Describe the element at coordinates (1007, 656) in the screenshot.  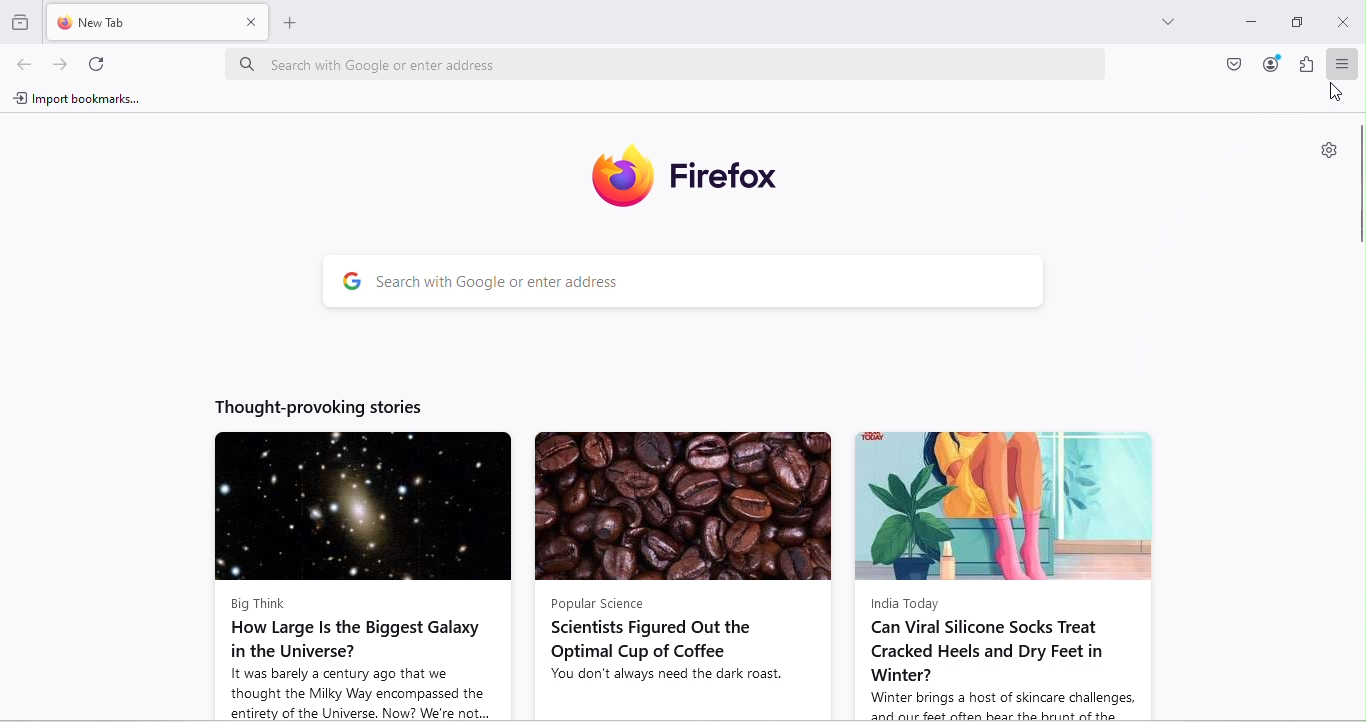
I see `India Today

Can Viral Silicone Socks Treat
Cracked Heels and Dry Feet in
Winter?

Winter brings a host of skincare challenges,` at that location.